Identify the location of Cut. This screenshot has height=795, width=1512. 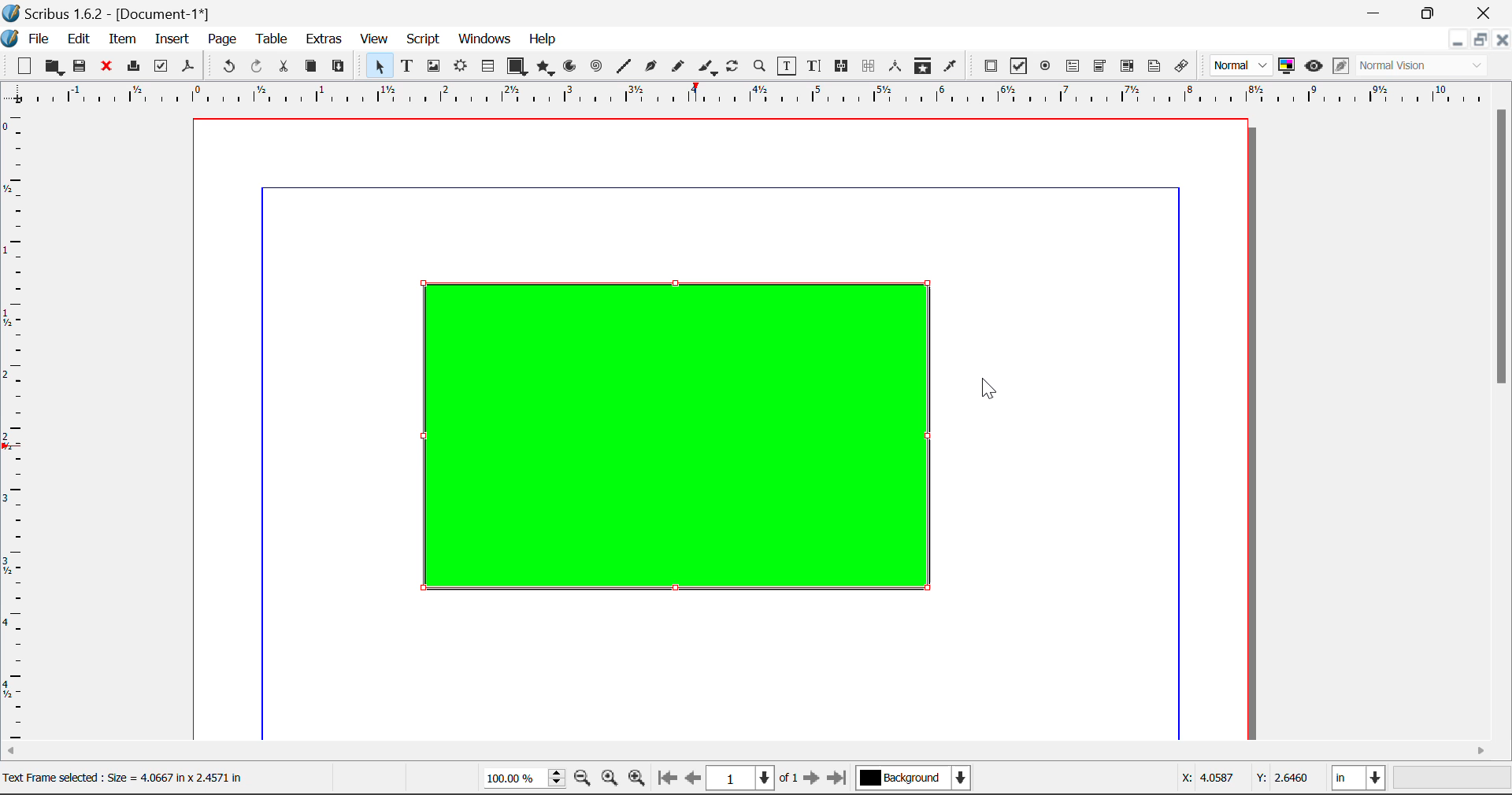
(285, 66).